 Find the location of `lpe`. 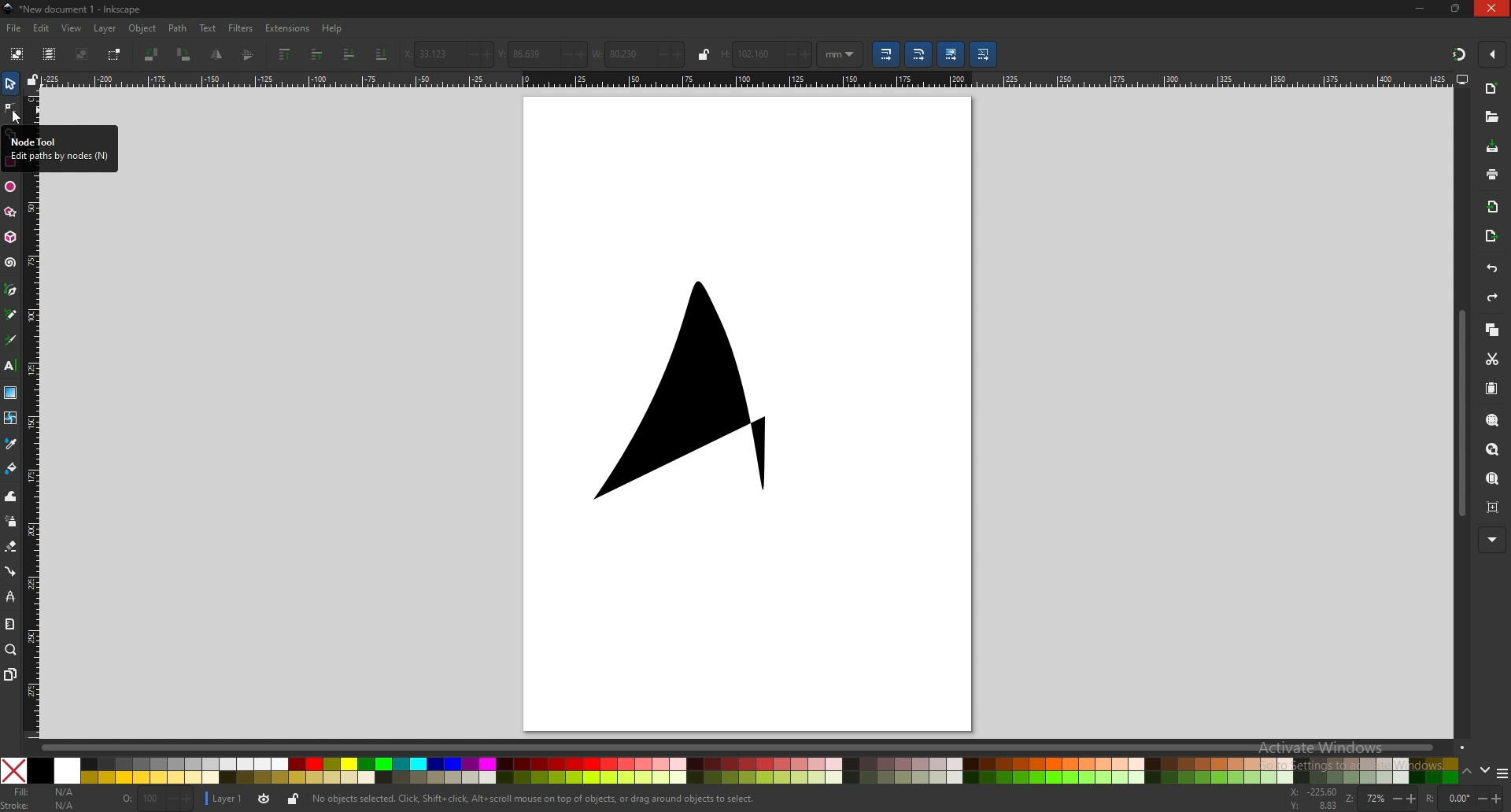

lpe is located at coordinates (10, 596).